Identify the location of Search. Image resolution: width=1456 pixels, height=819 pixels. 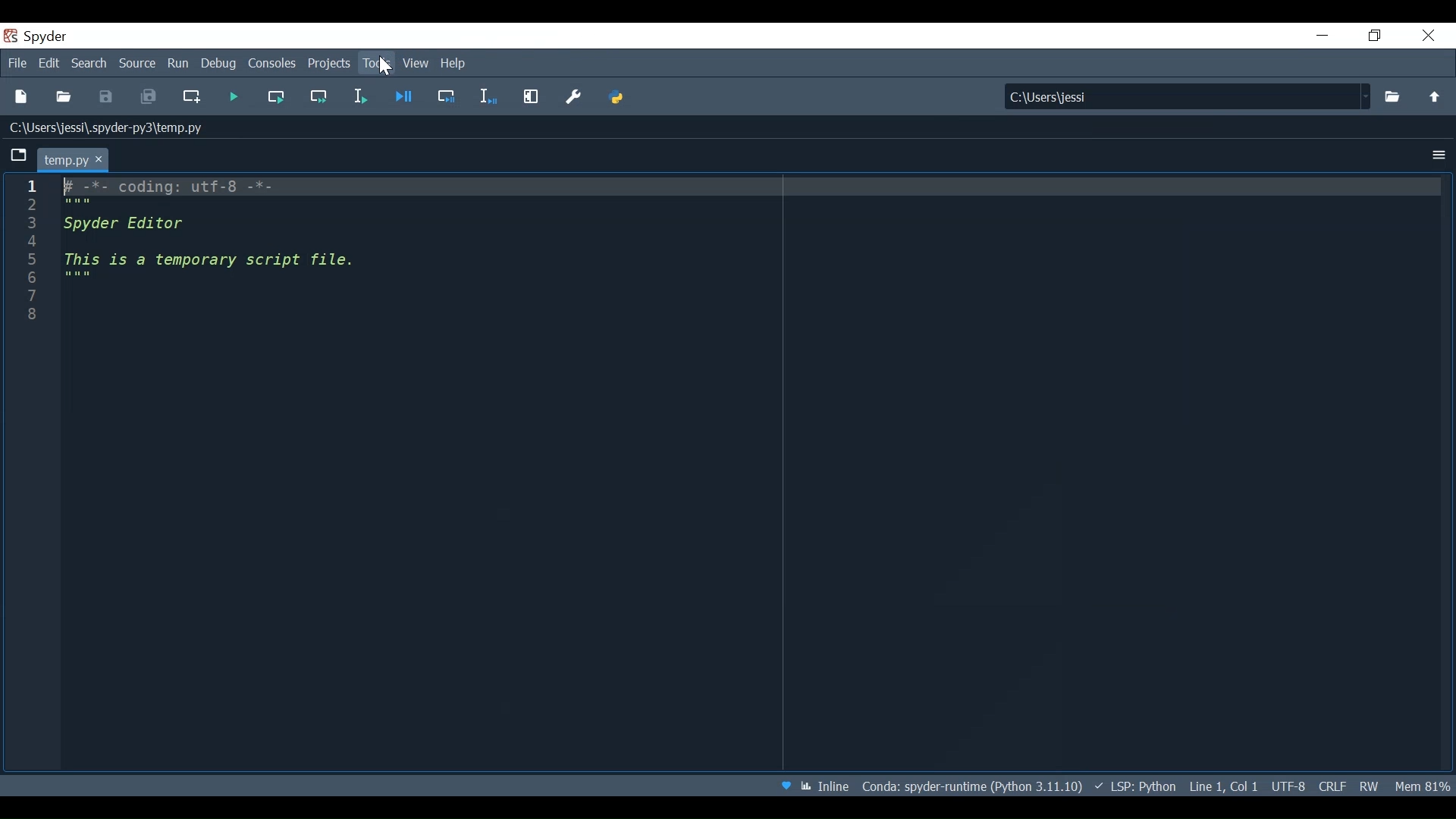
(90, 64).